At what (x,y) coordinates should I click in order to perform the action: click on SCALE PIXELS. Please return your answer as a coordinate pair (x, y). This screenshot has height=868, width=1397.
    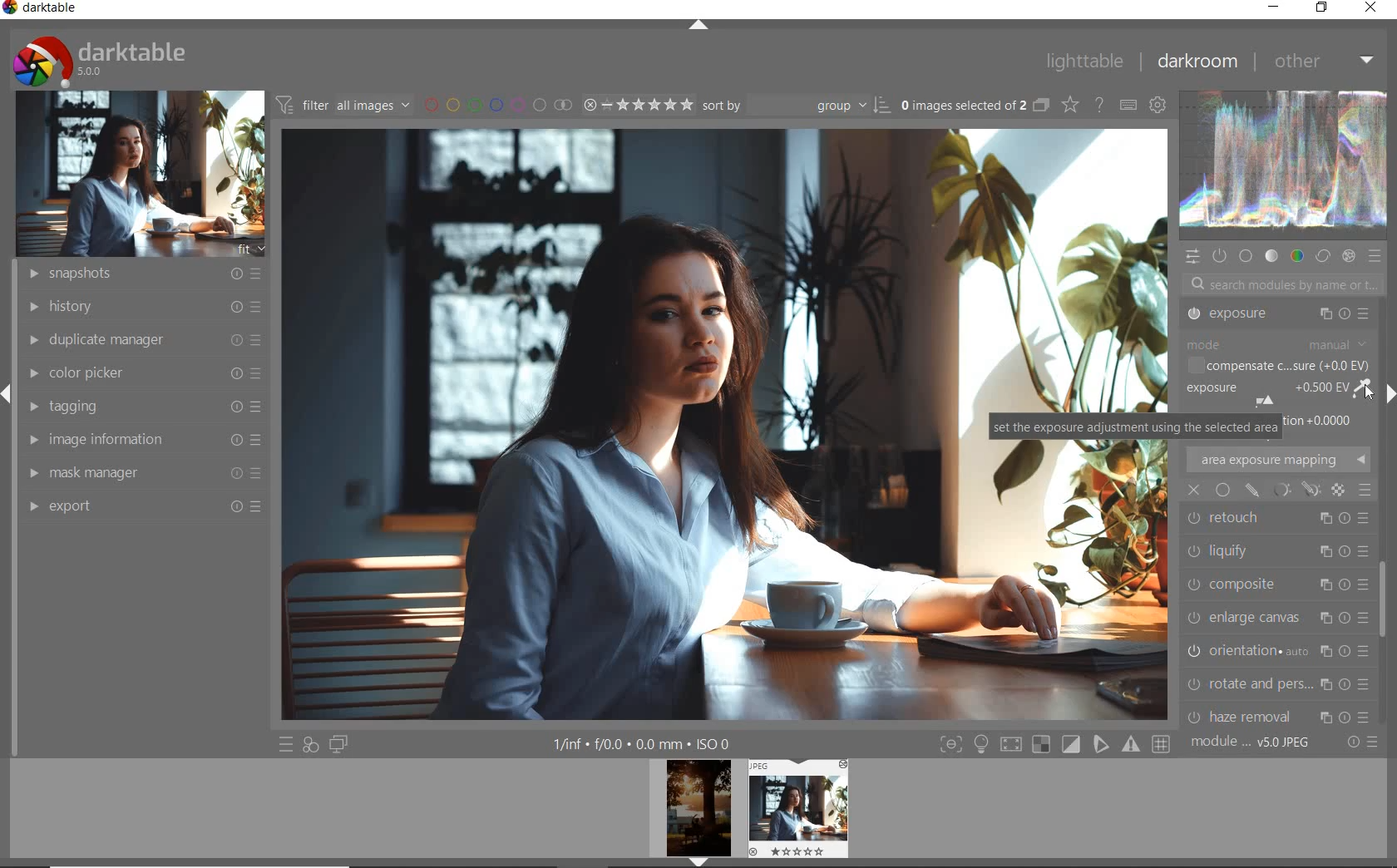
    Looking at the image, I should click on (1286, 712).